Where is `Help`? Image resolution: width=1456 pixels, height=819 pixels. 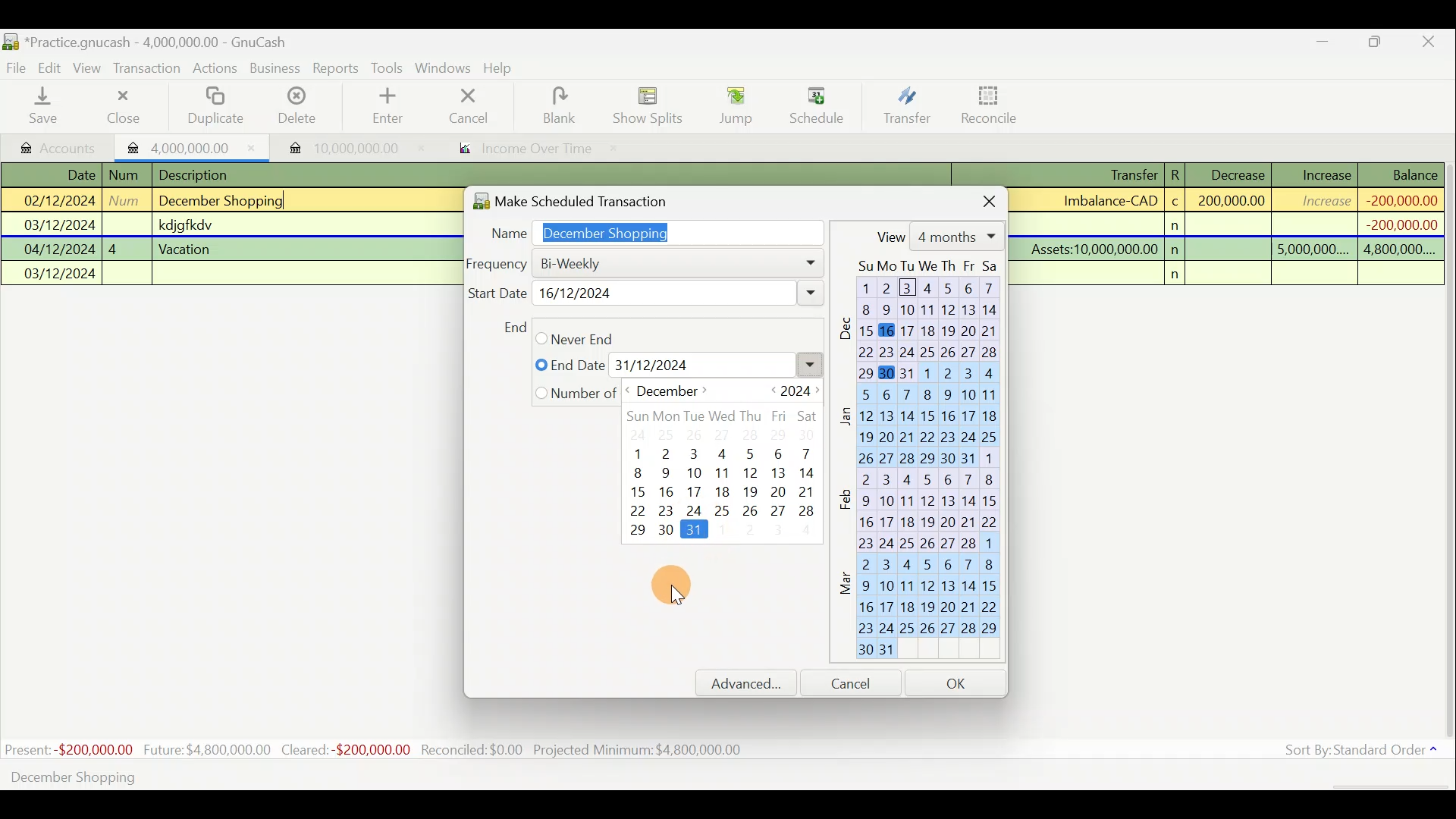 Help is located at coordinates (504, 68).